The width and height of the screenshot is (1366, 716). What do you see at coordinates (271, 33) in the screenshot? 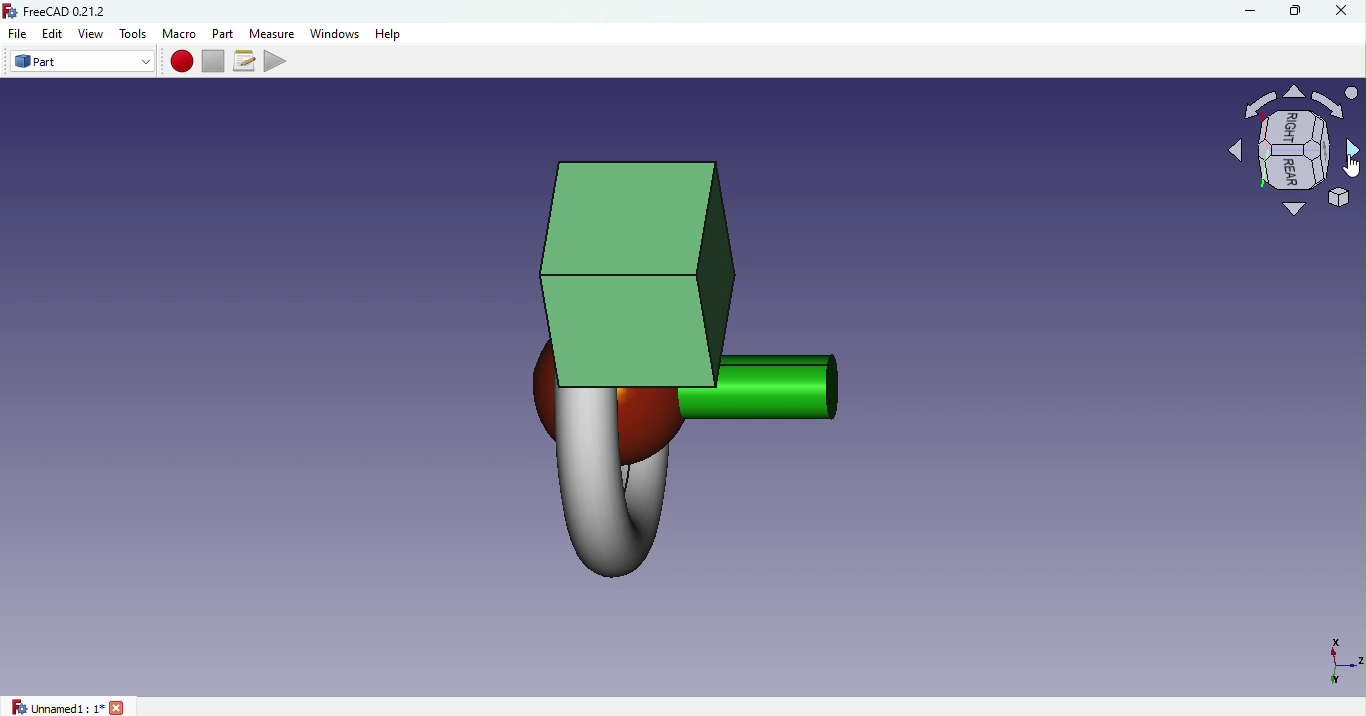
I see `Measure` at bounding box center [271, 33].